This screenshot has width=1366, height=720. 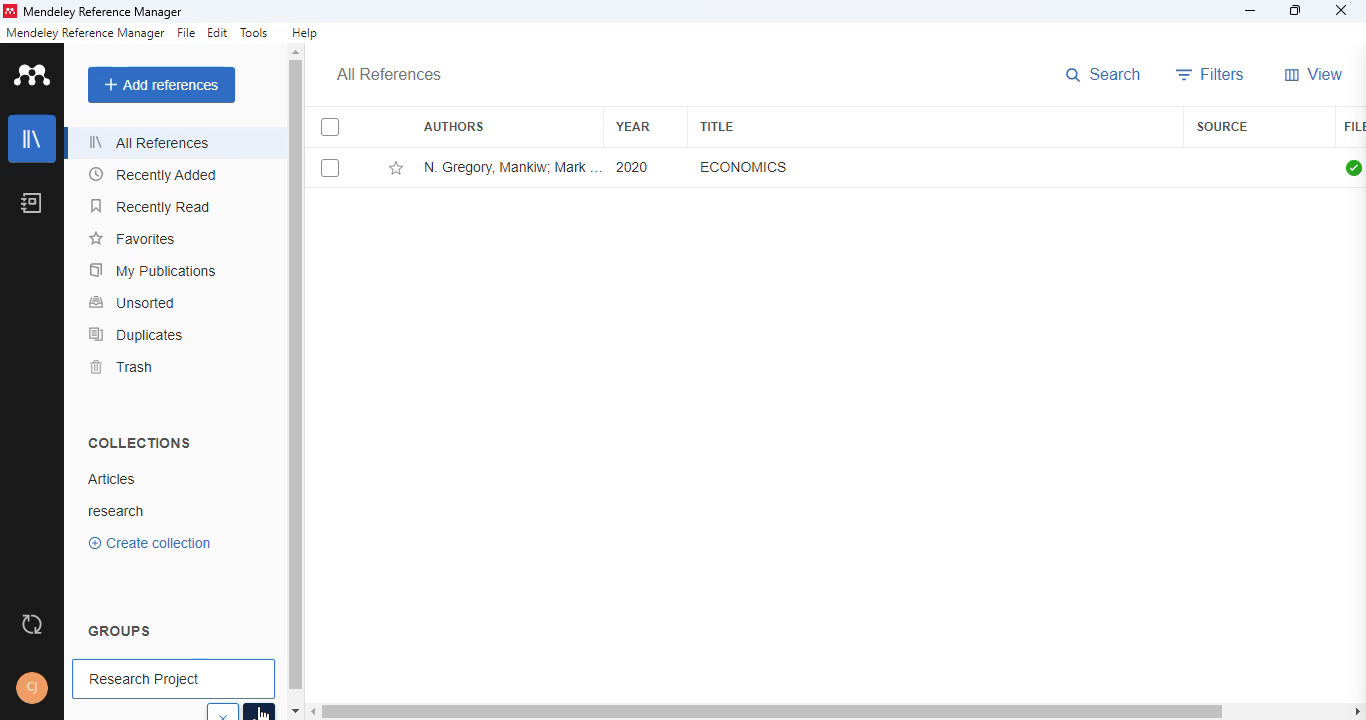 I want to click on vertical scroll bar, so click(x=295, y=382).